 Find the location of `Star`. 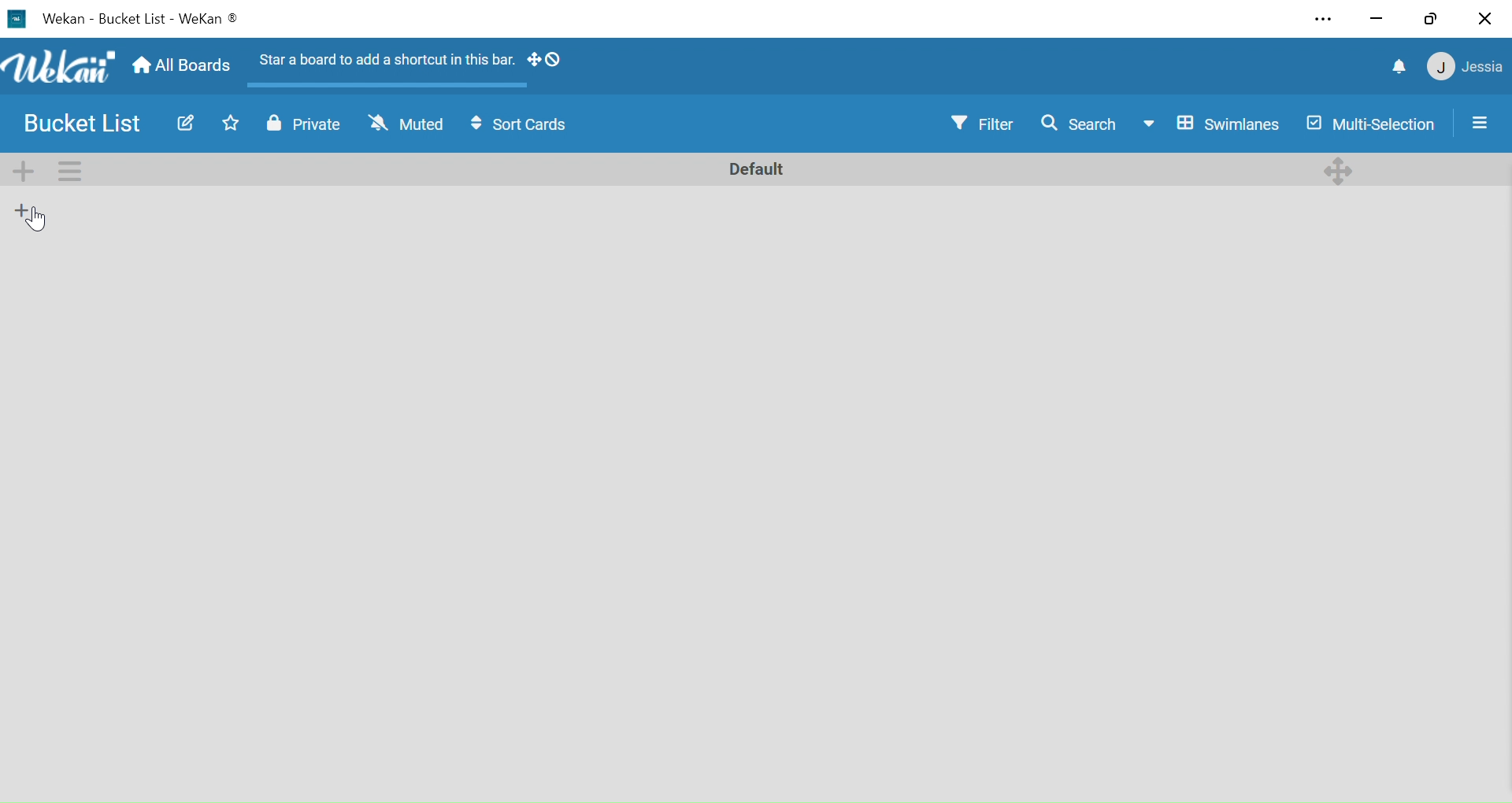

Star is located at coordinates (225, 124).